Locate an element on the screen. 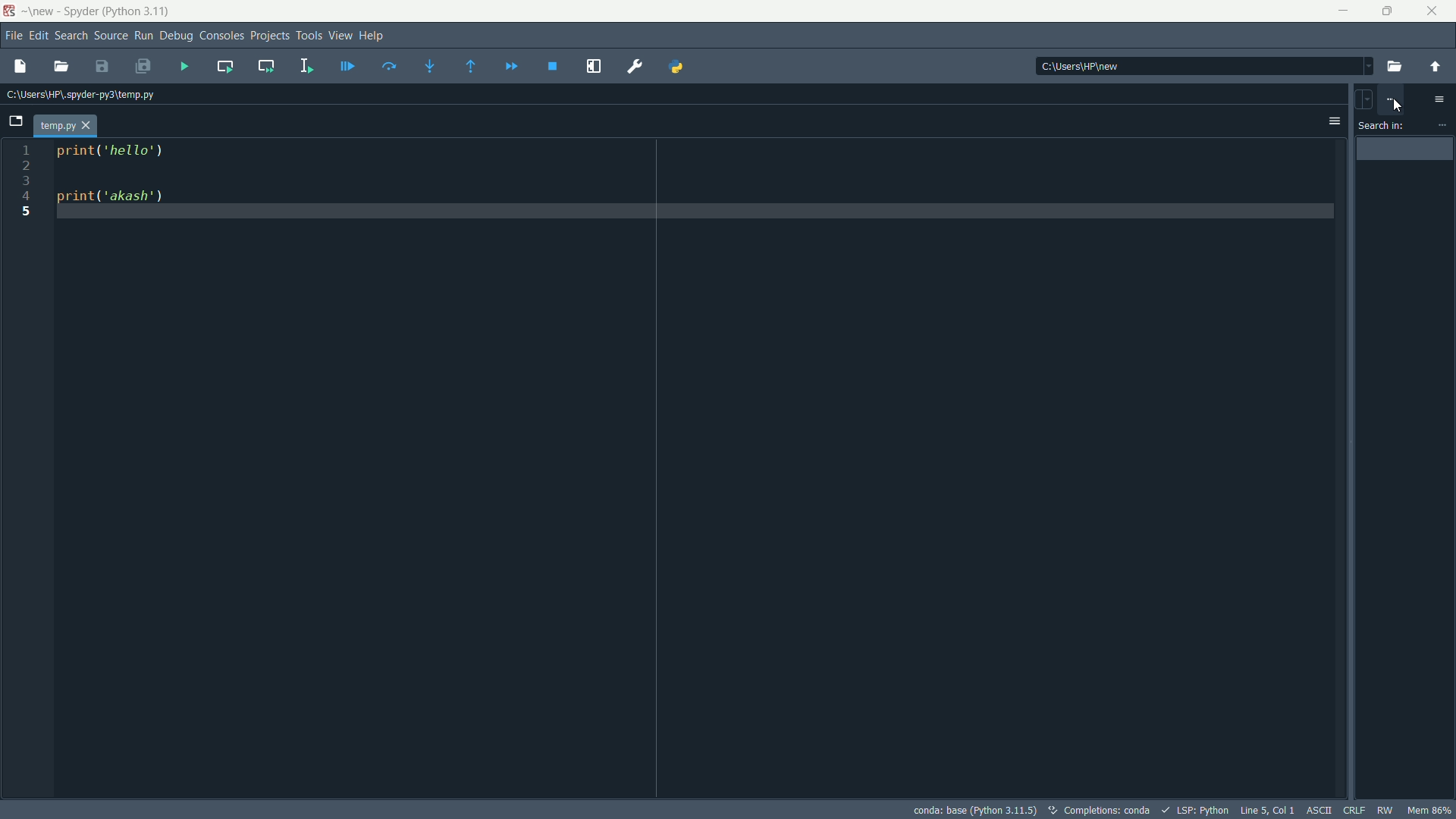  new is located at coordinates (40, 11).